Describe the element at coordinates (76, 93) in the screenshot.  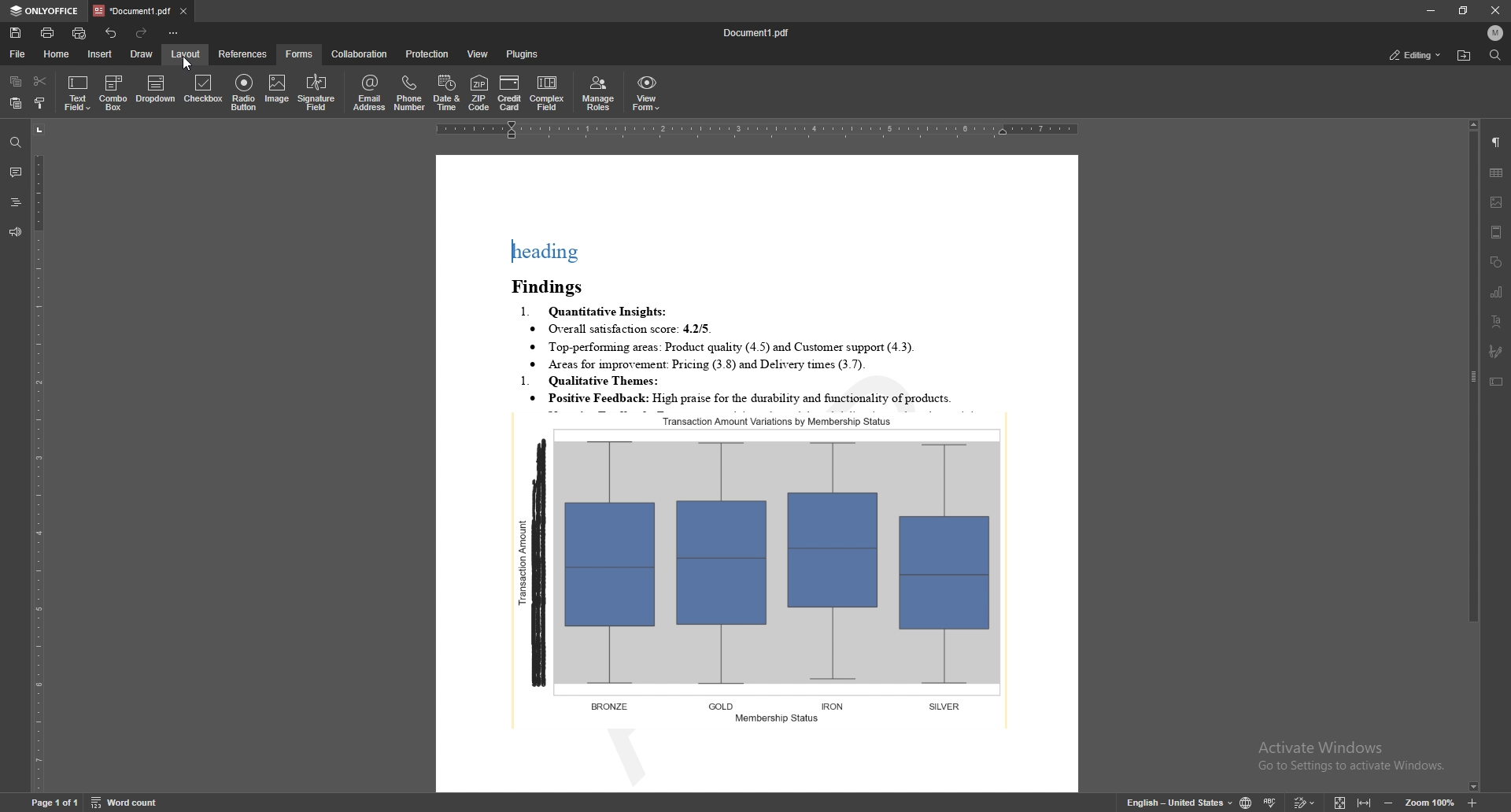
I see `text field` at that location.